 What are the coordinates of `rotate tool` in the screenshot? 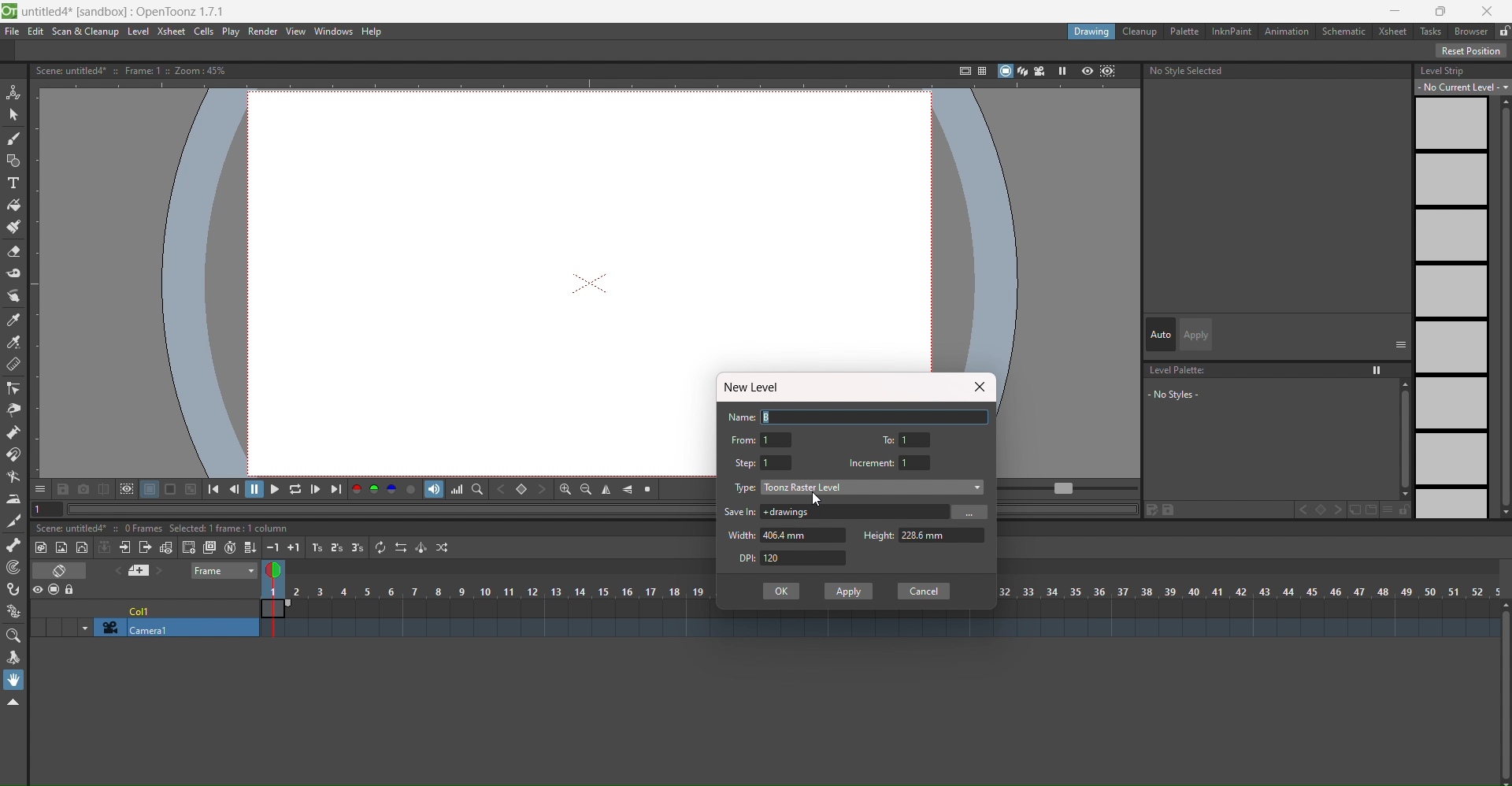 It's located at (13, 658).